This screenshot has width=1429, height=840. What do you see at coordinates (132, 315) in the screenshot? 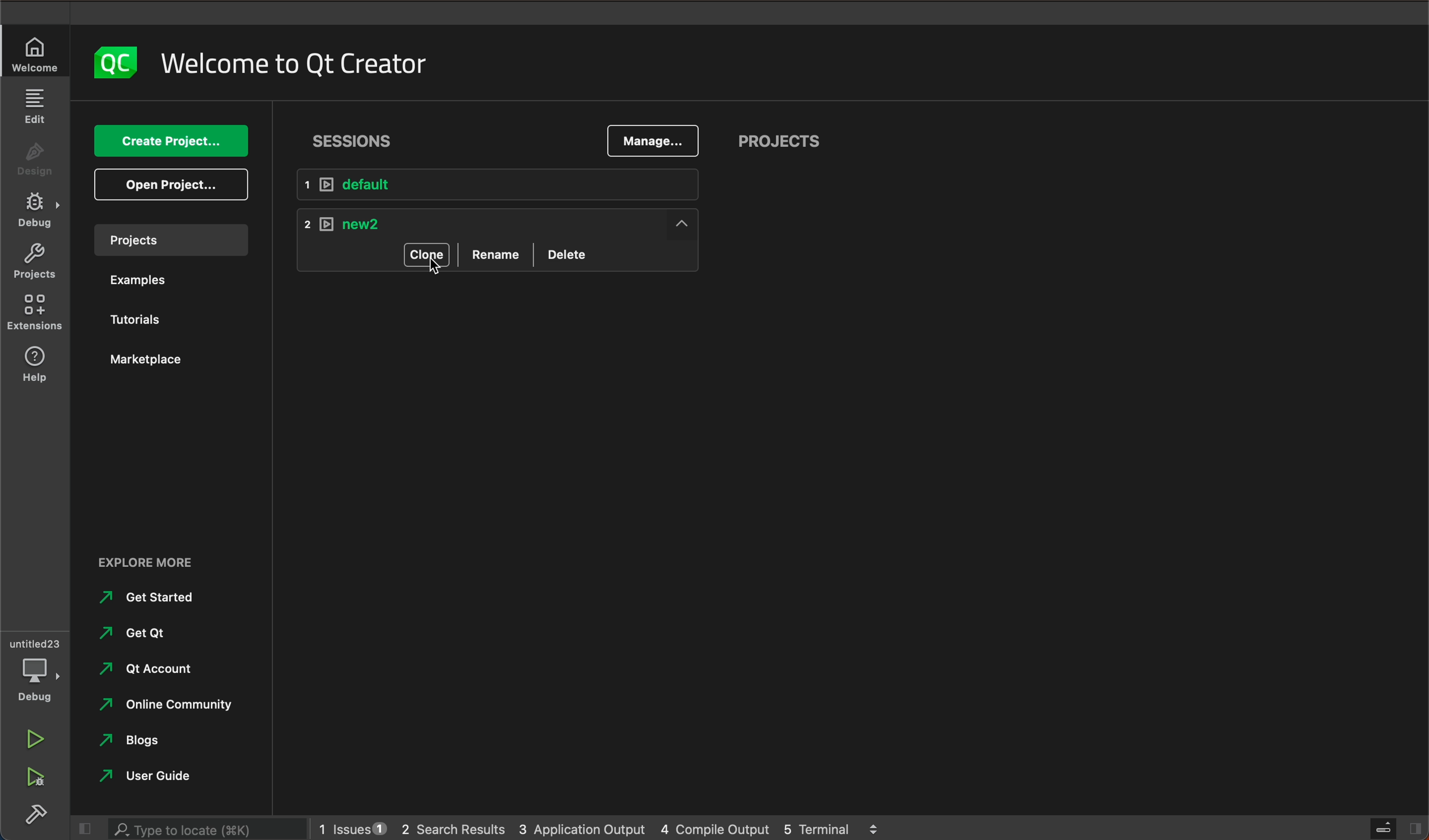
I see `tutorials` at bounding box center [132, 315].